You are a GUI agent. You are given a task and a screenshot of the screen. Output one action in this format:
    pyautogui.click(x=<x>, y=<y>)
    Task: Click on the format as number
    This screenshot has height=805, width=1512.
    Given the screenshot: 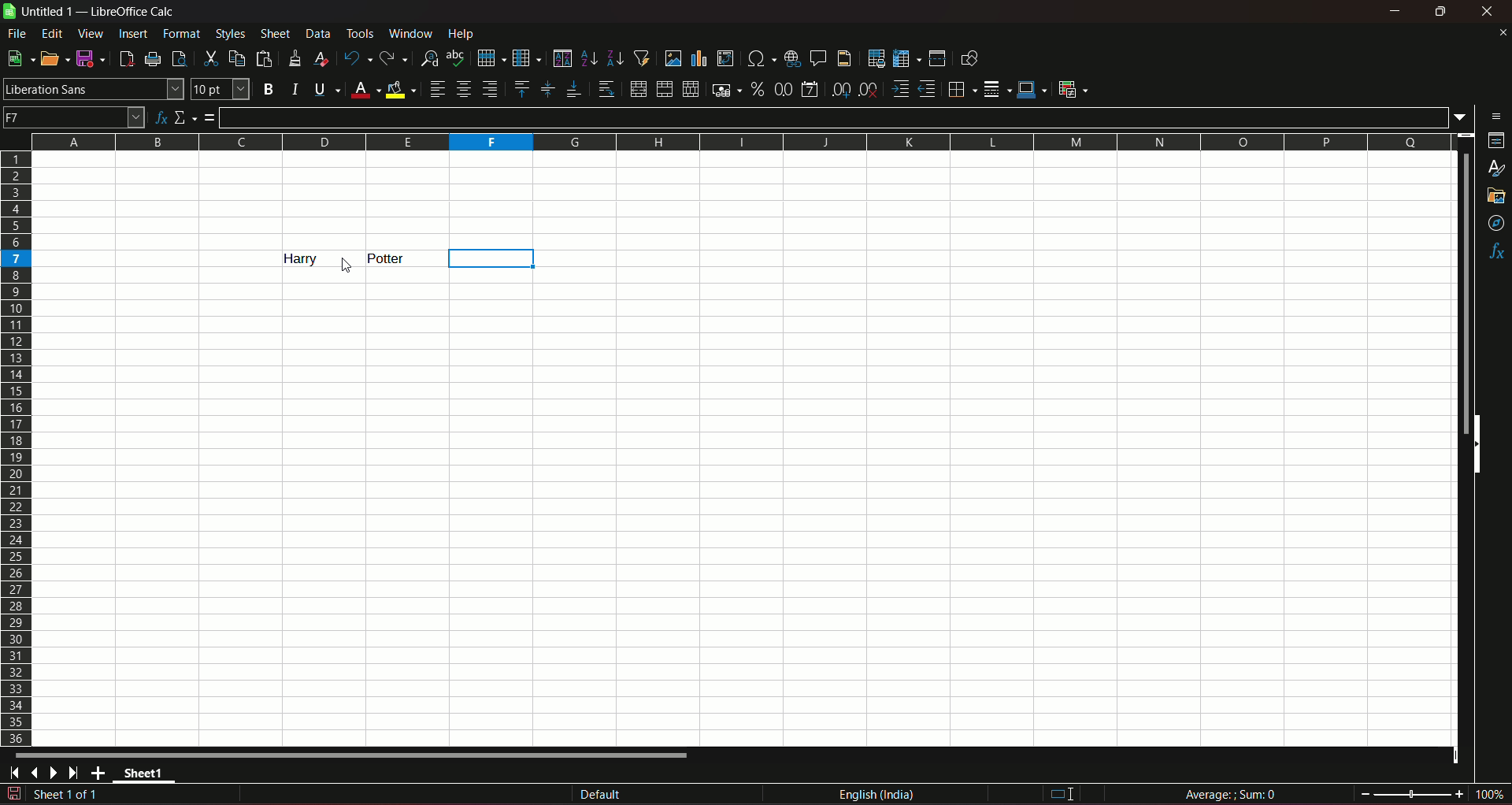 What is the action you would take?
    pyautogui.click(x=783, y=88)
    